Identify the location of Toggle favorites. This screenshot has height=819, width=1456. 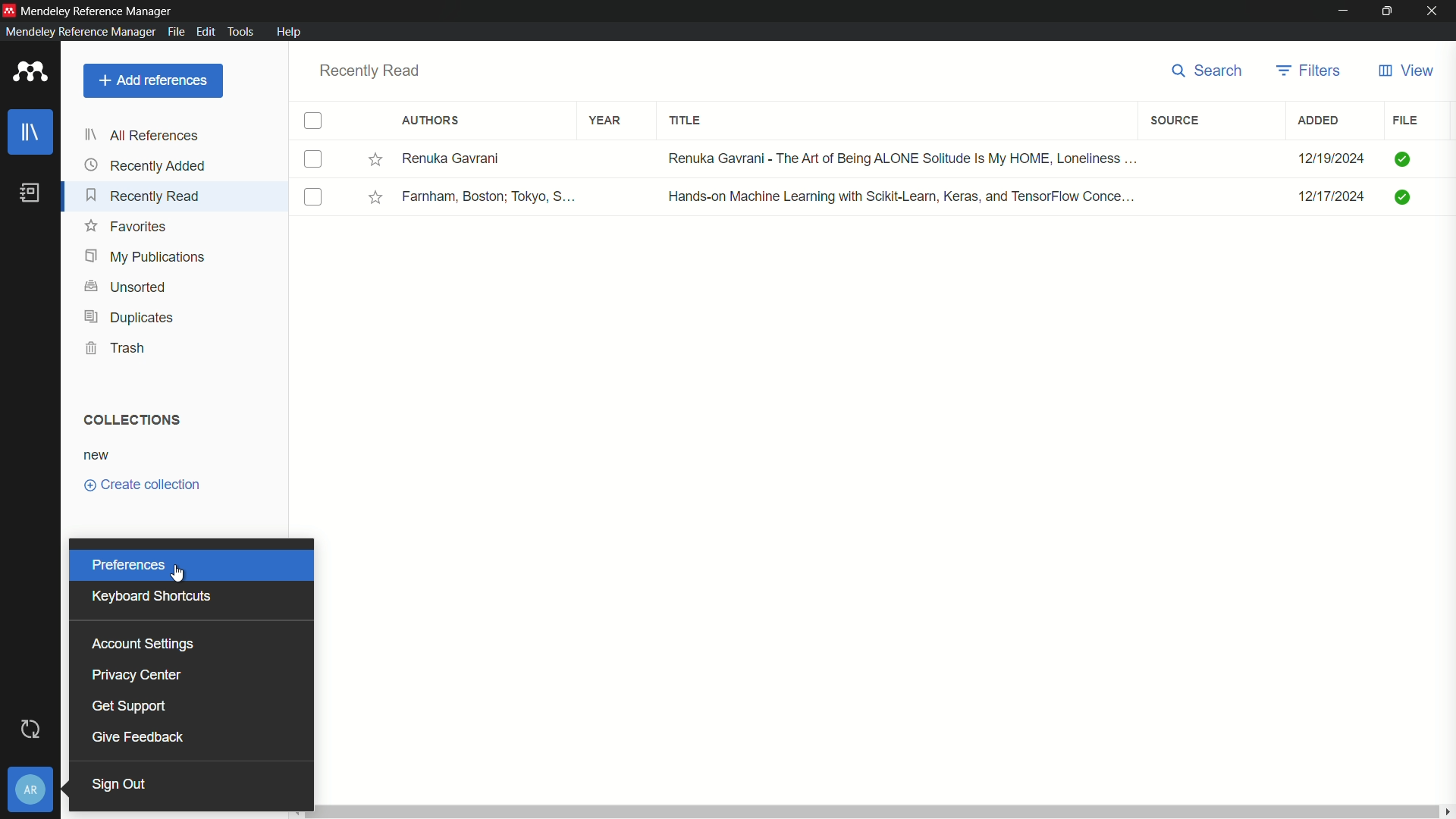
(375, 198).